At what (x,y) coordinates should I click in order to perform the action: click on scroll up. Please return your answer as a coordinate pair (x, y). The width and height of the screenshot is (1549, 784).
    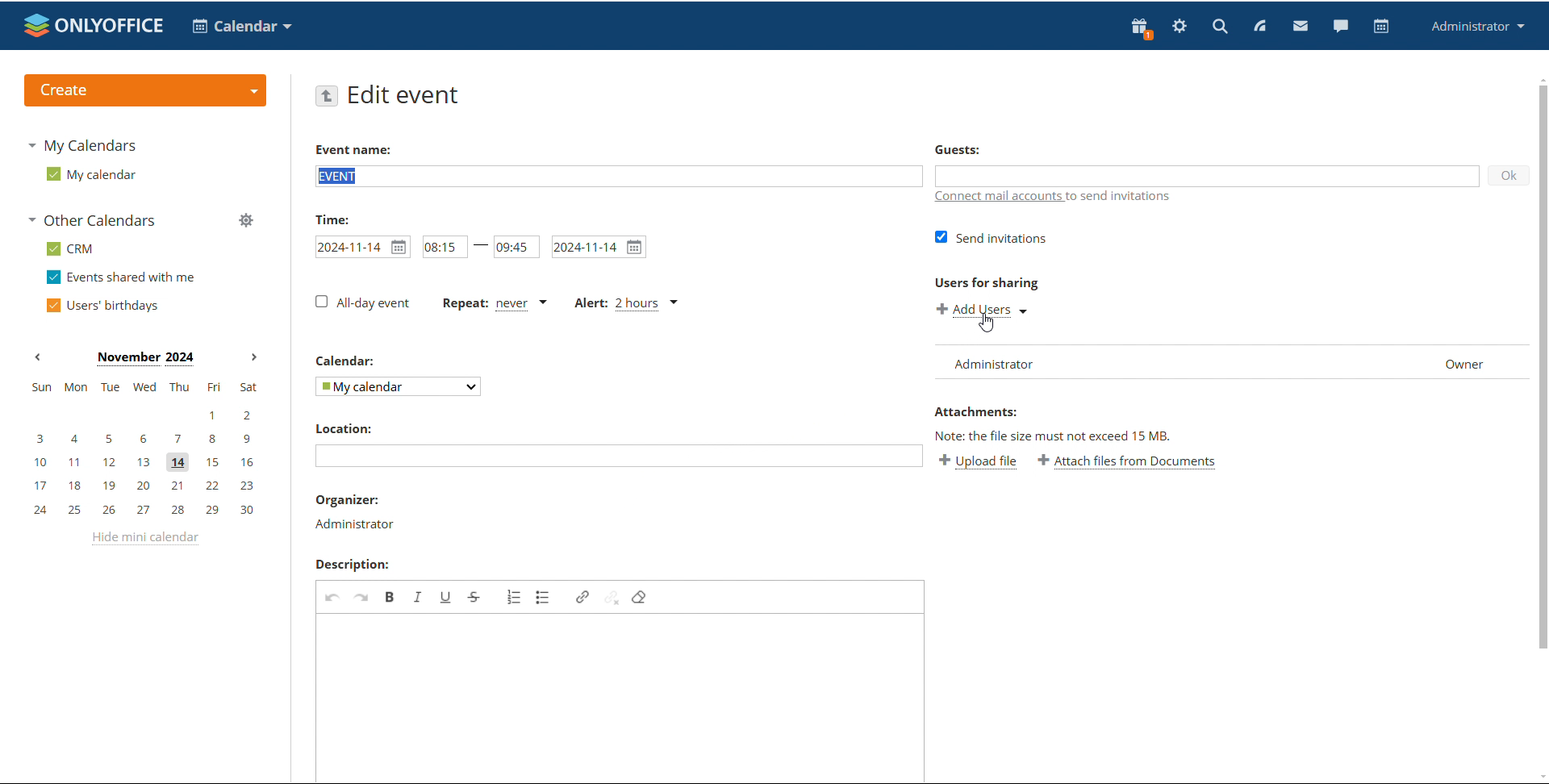
    Looking at the image, I should click on (1539, 78).